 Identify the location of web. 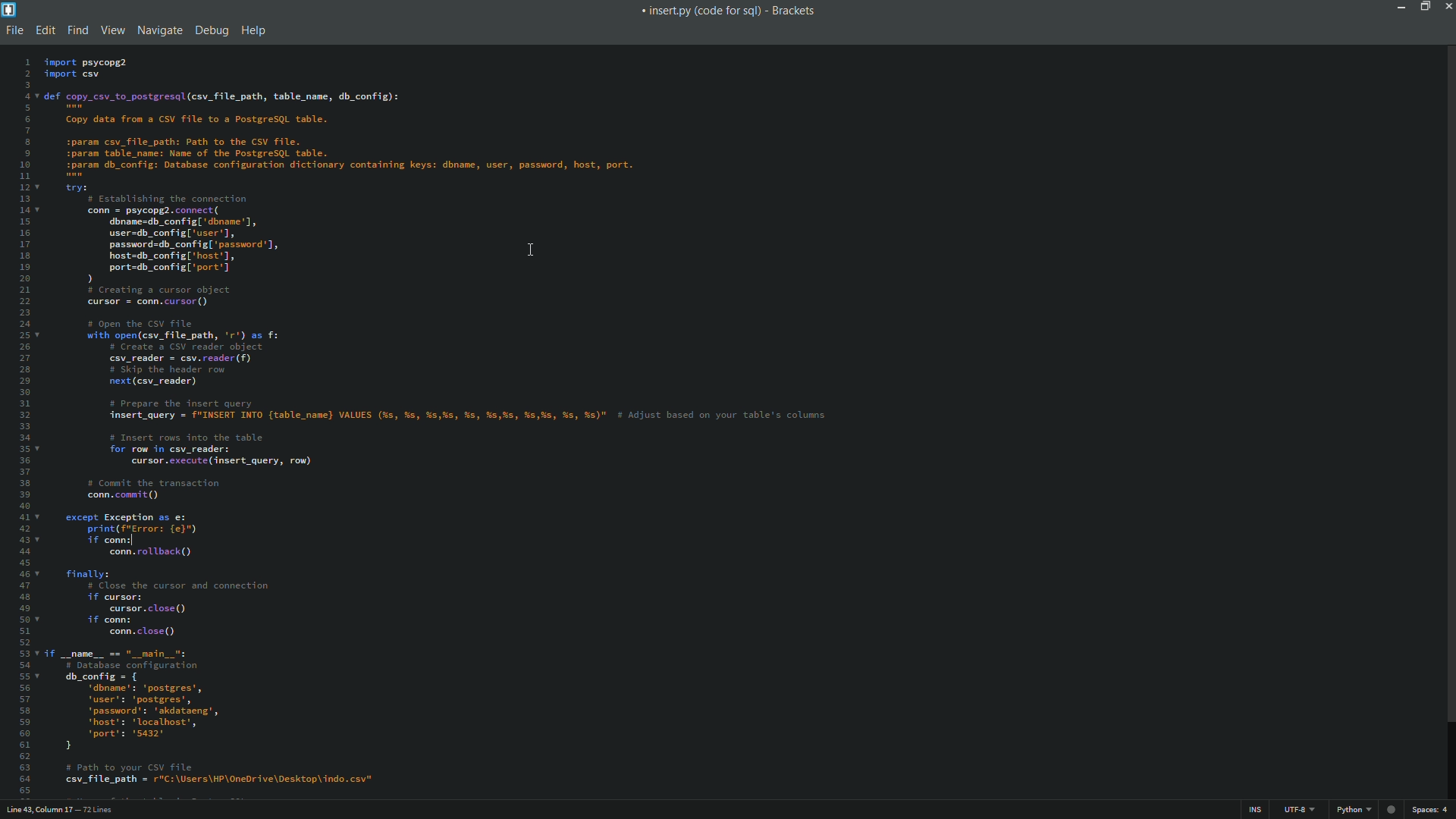
(1389, 807).